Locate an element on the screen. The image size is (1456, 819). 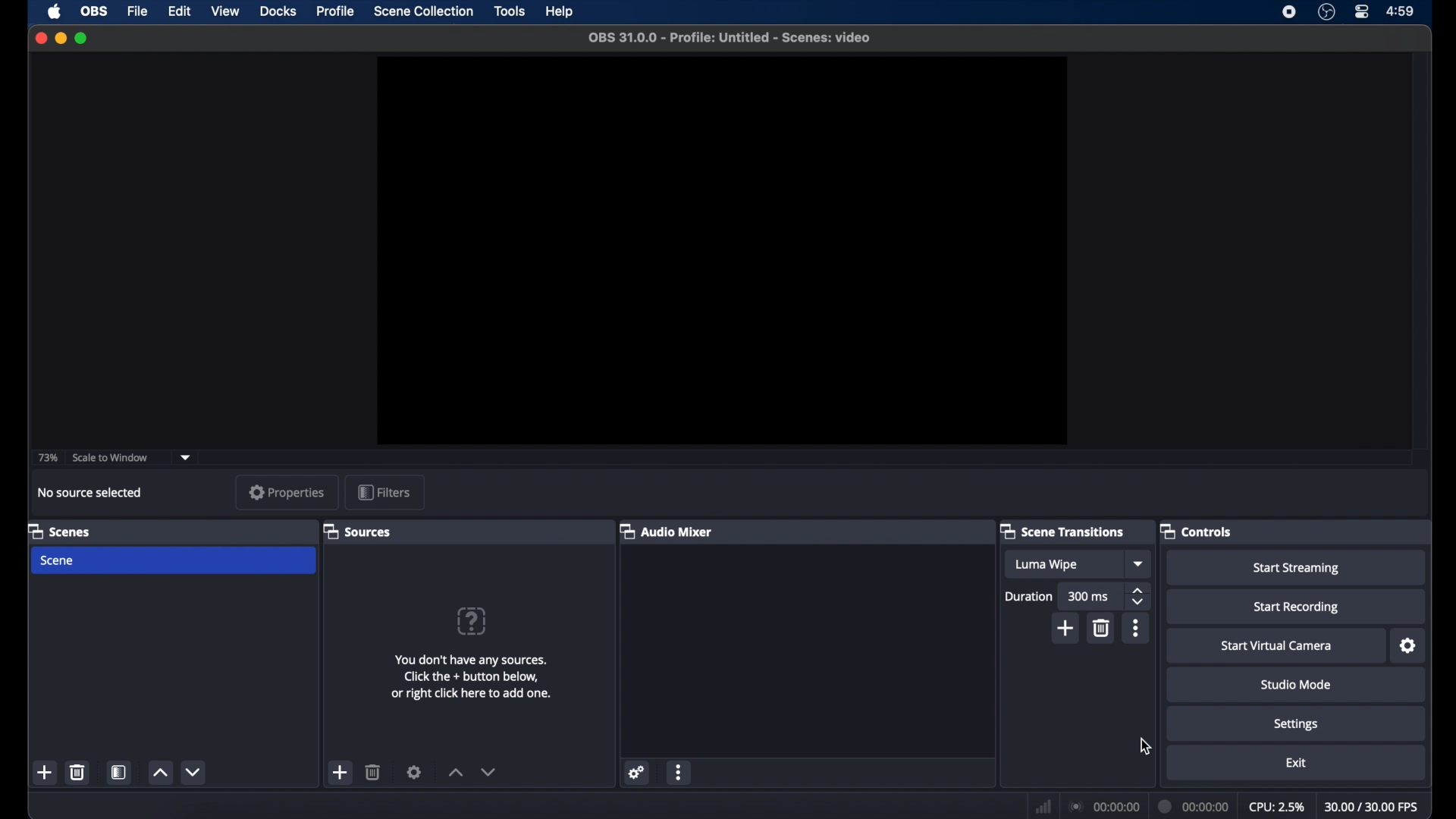
settings is located at coordinates (1296, 724).